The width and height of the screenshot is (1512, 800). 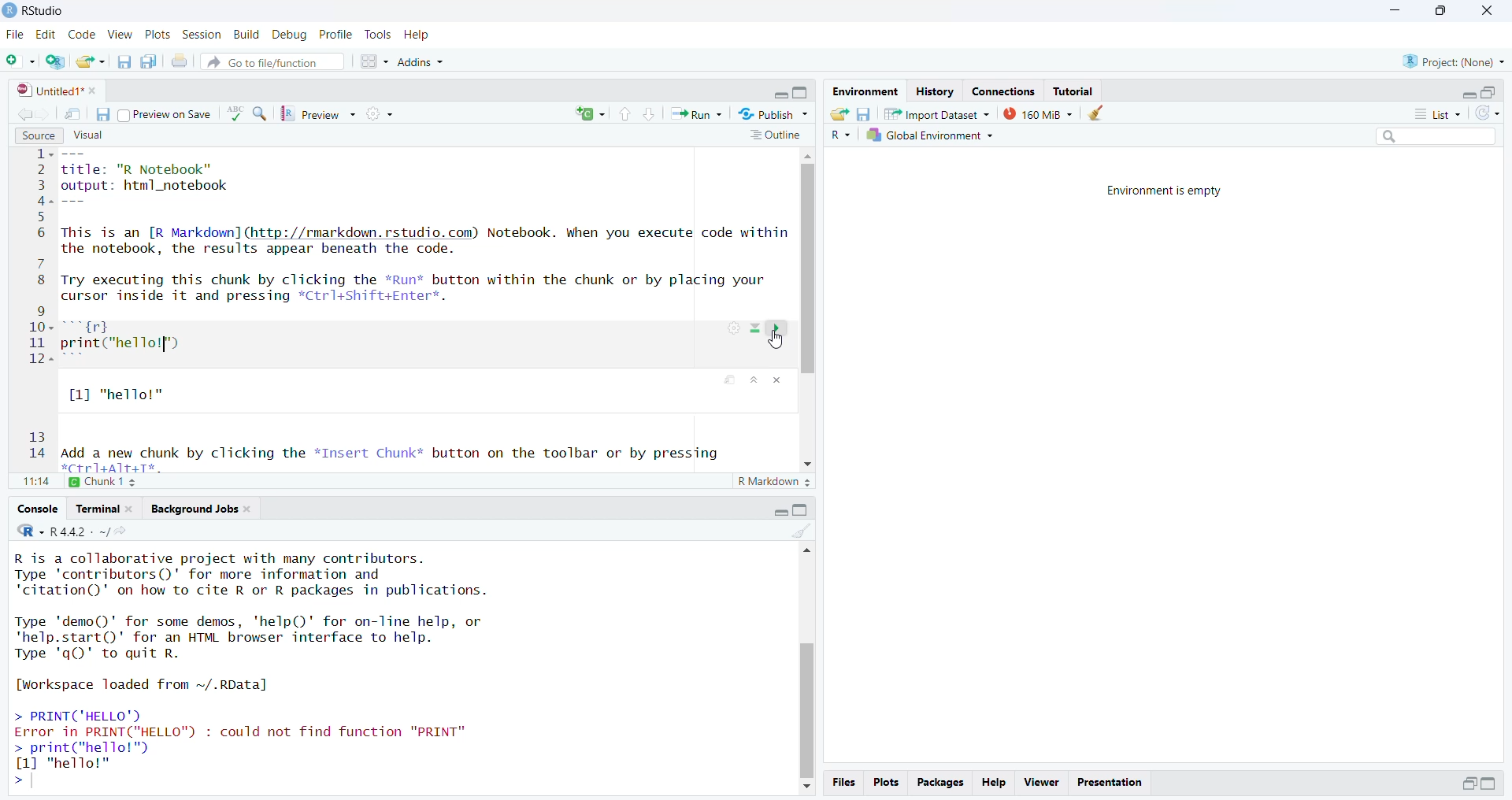 I want to click on create a project, so click(x=57, y=61).